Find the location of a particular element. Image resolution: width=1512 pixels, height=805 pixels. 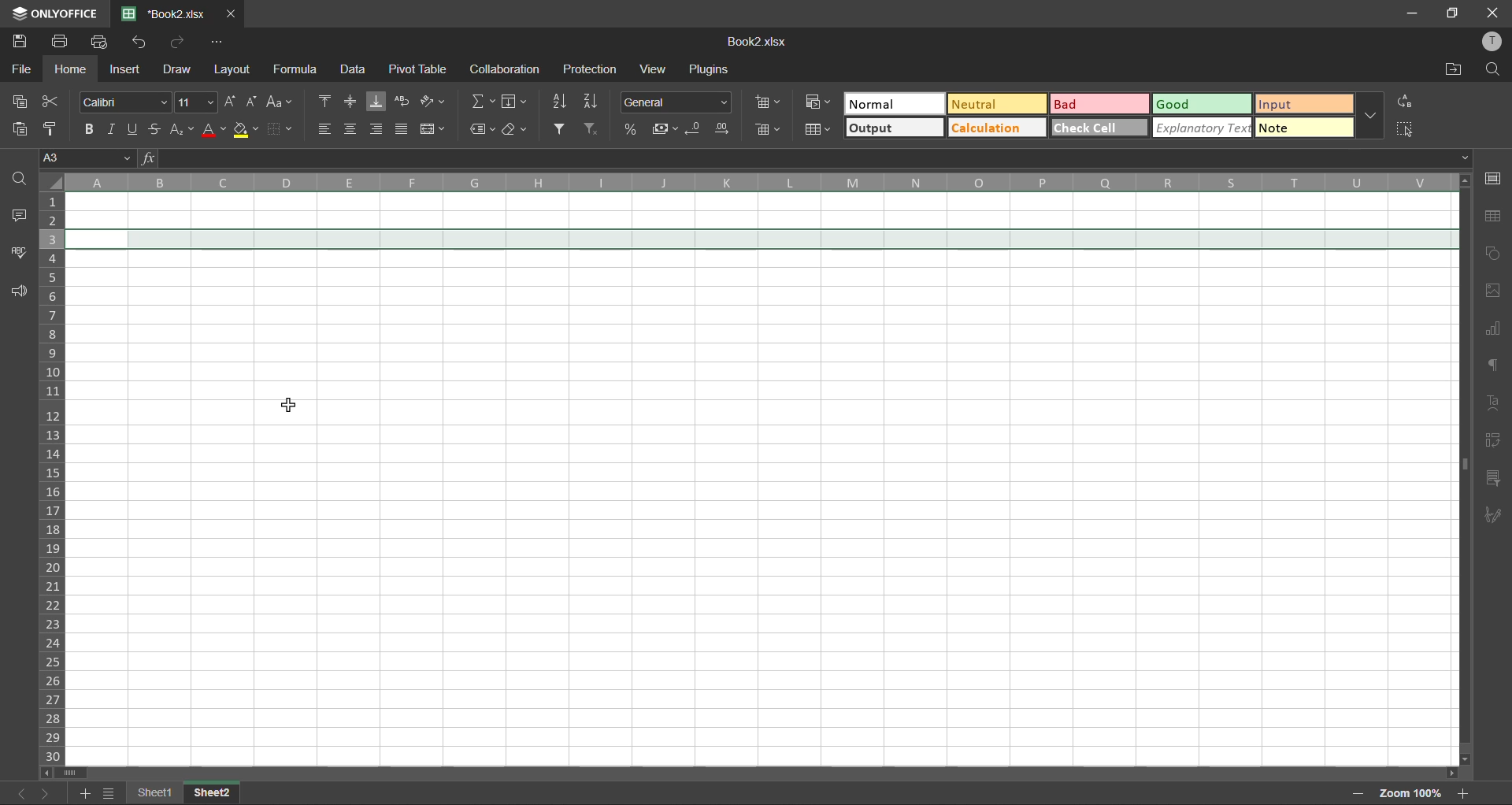

row numbers is located at coordinates (52, 476).